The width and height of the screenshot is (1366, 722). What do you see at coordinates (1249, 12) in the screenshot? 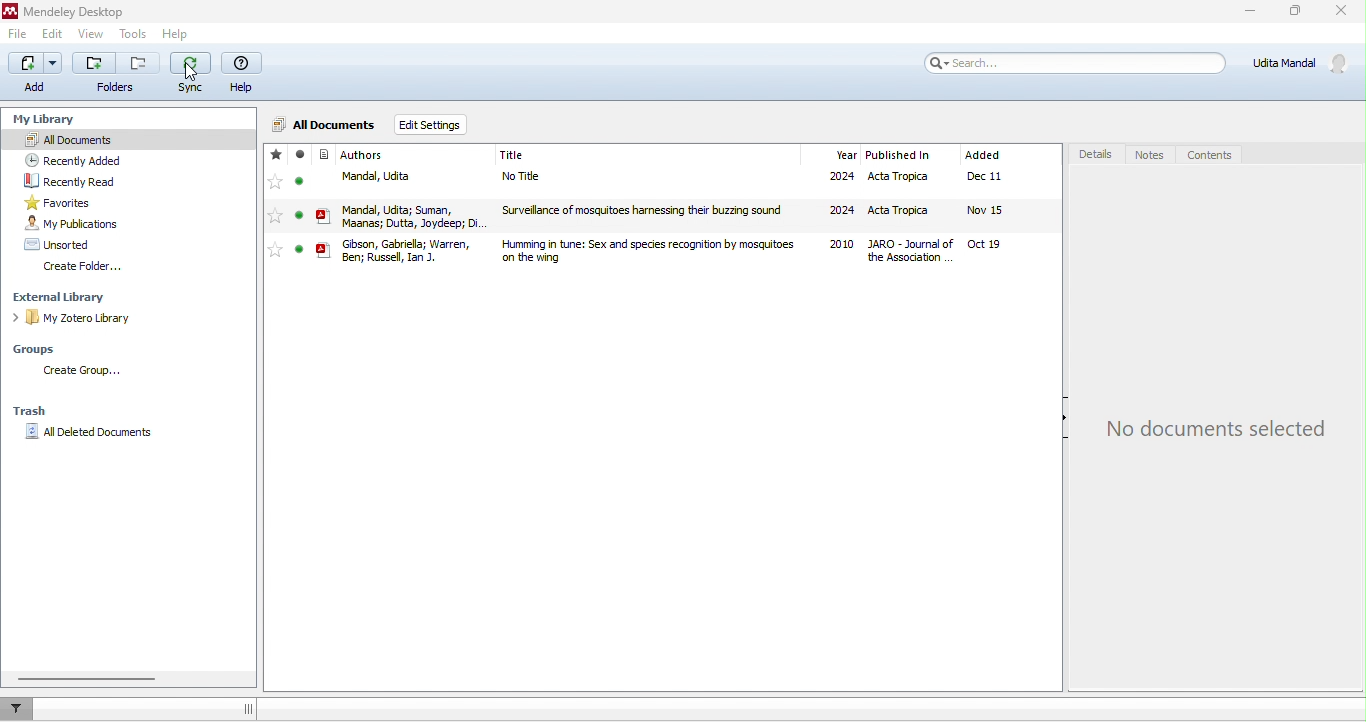
I see `minimize` at bounding box center [1249, 12].